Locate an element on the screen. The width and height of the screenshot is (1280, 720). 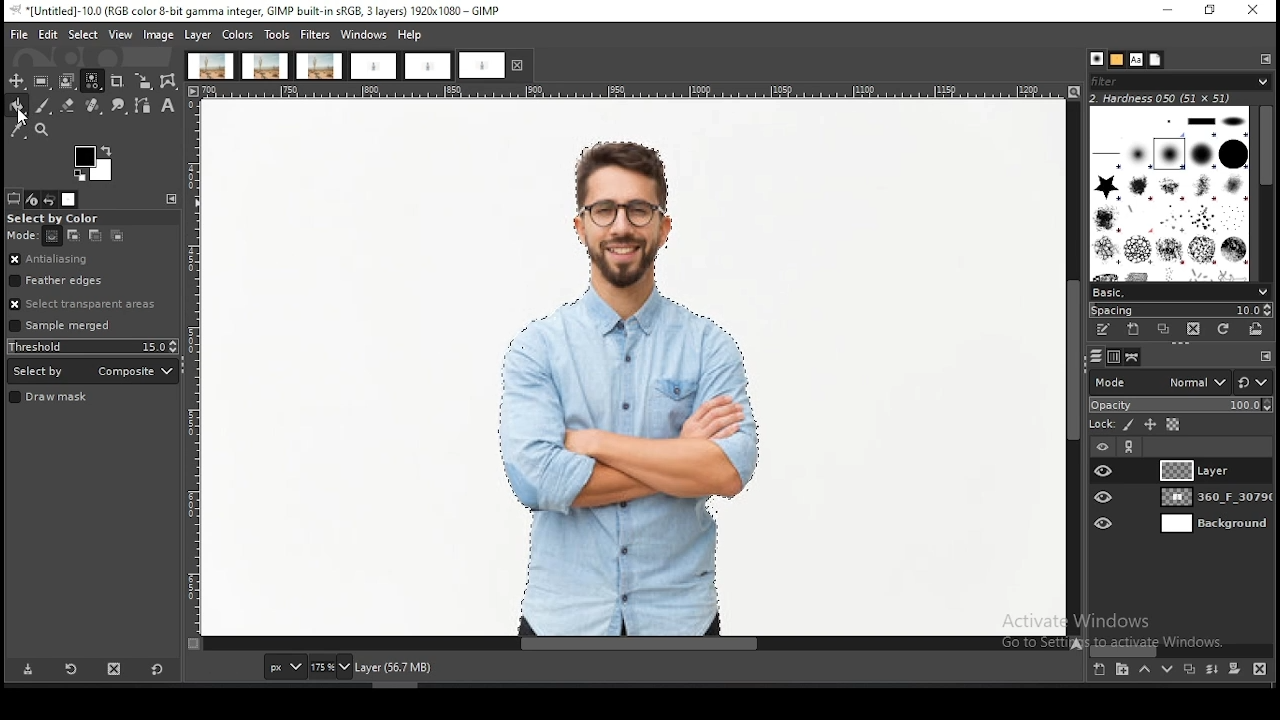
mode: is located at coordinates (23, 236).